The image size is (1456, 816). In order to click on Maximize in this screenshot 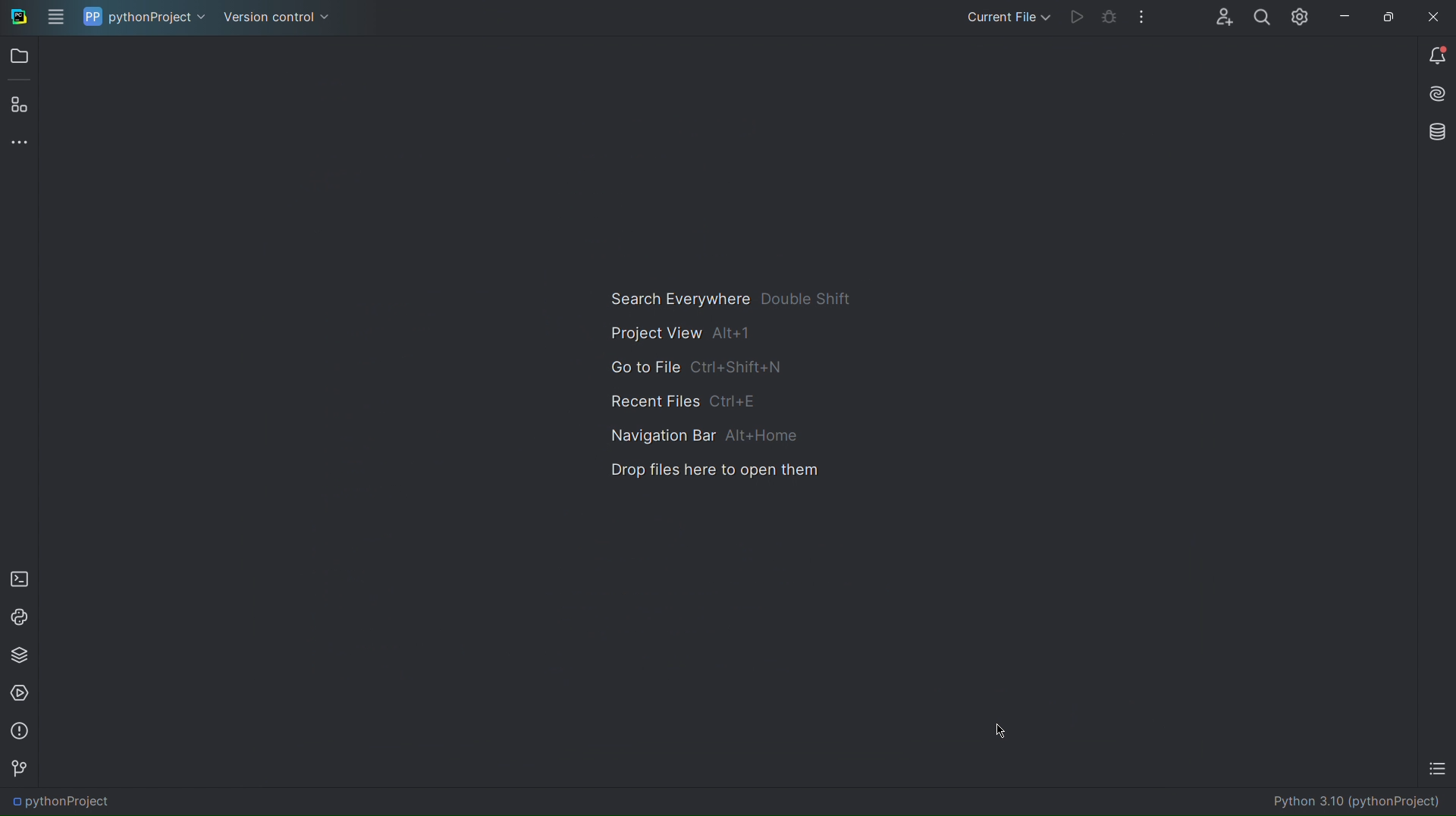, I will do `click(1386, 16)`.